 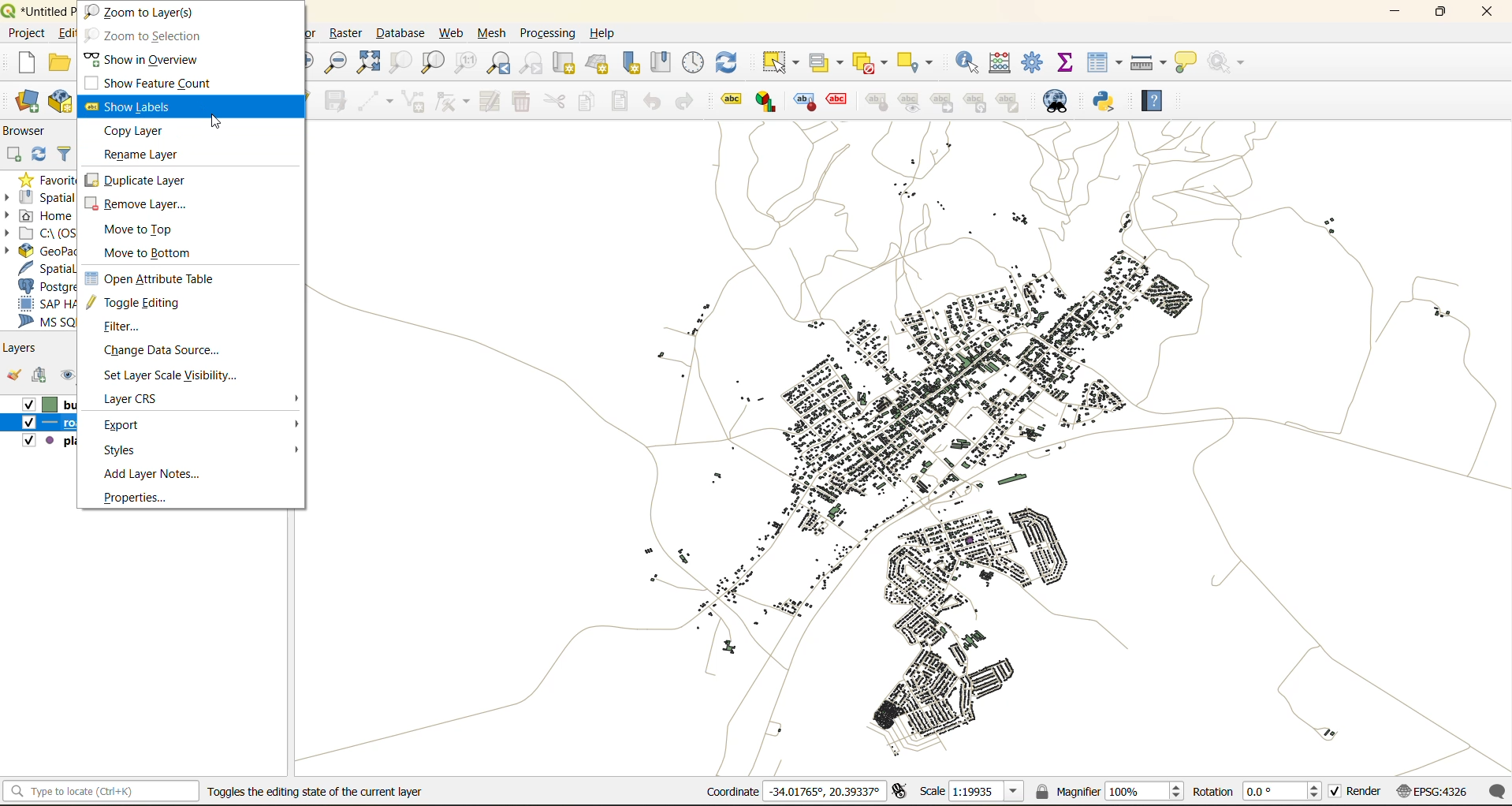 I want to click on toolbox, so click(x=1036, y=62).